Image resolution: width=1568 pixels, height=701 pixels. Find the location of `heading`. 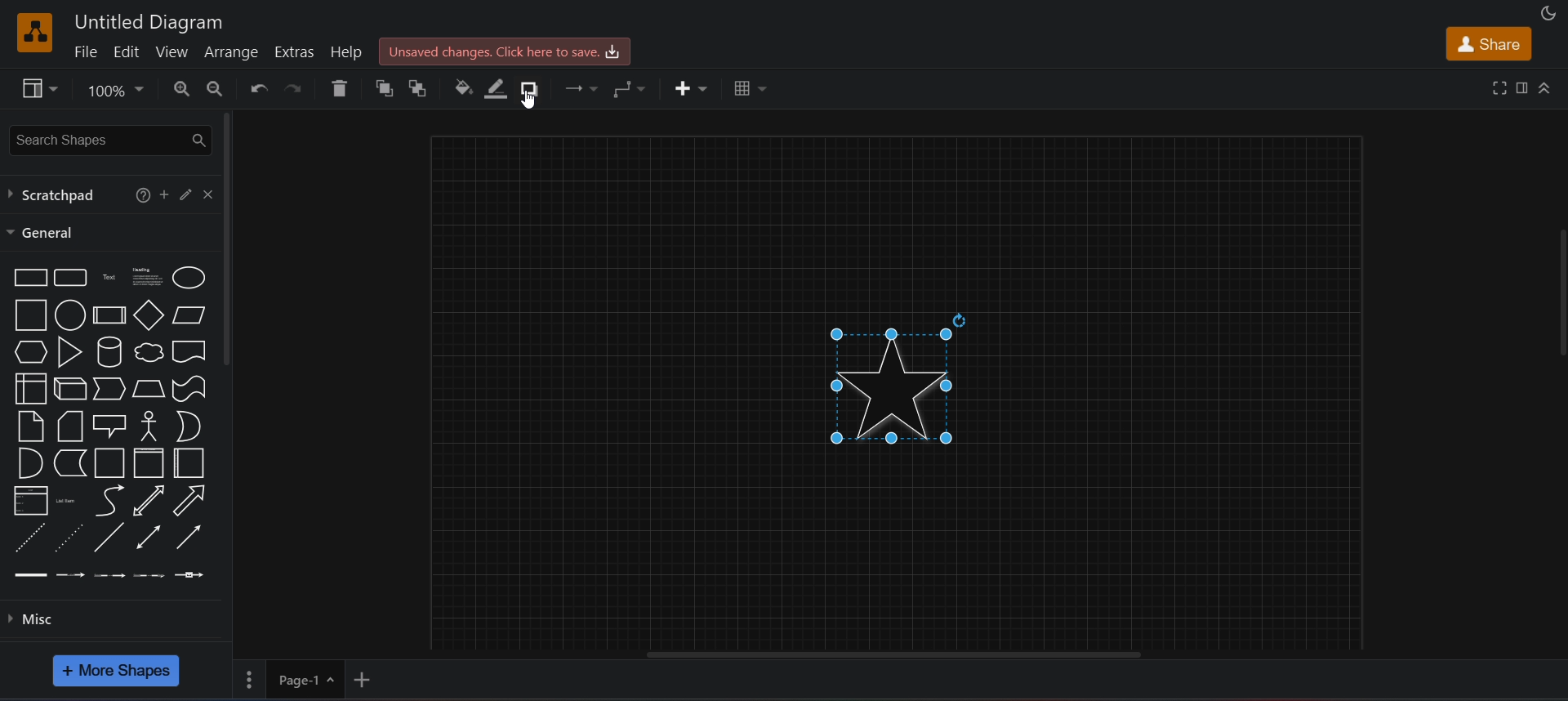

heading is located at coordinates (144, 277).